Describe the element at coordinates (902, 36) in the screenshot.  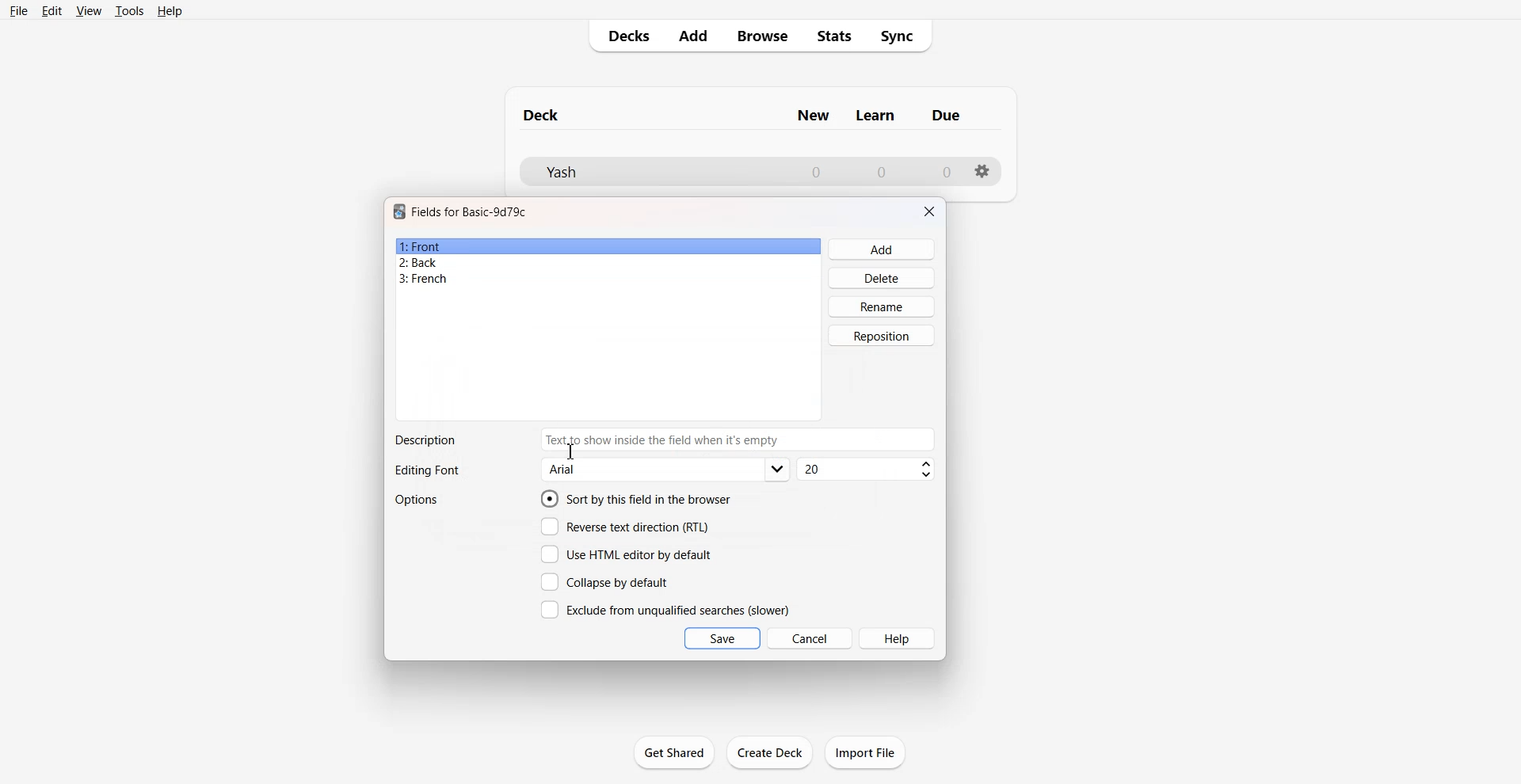
I see `Sync` at that location.